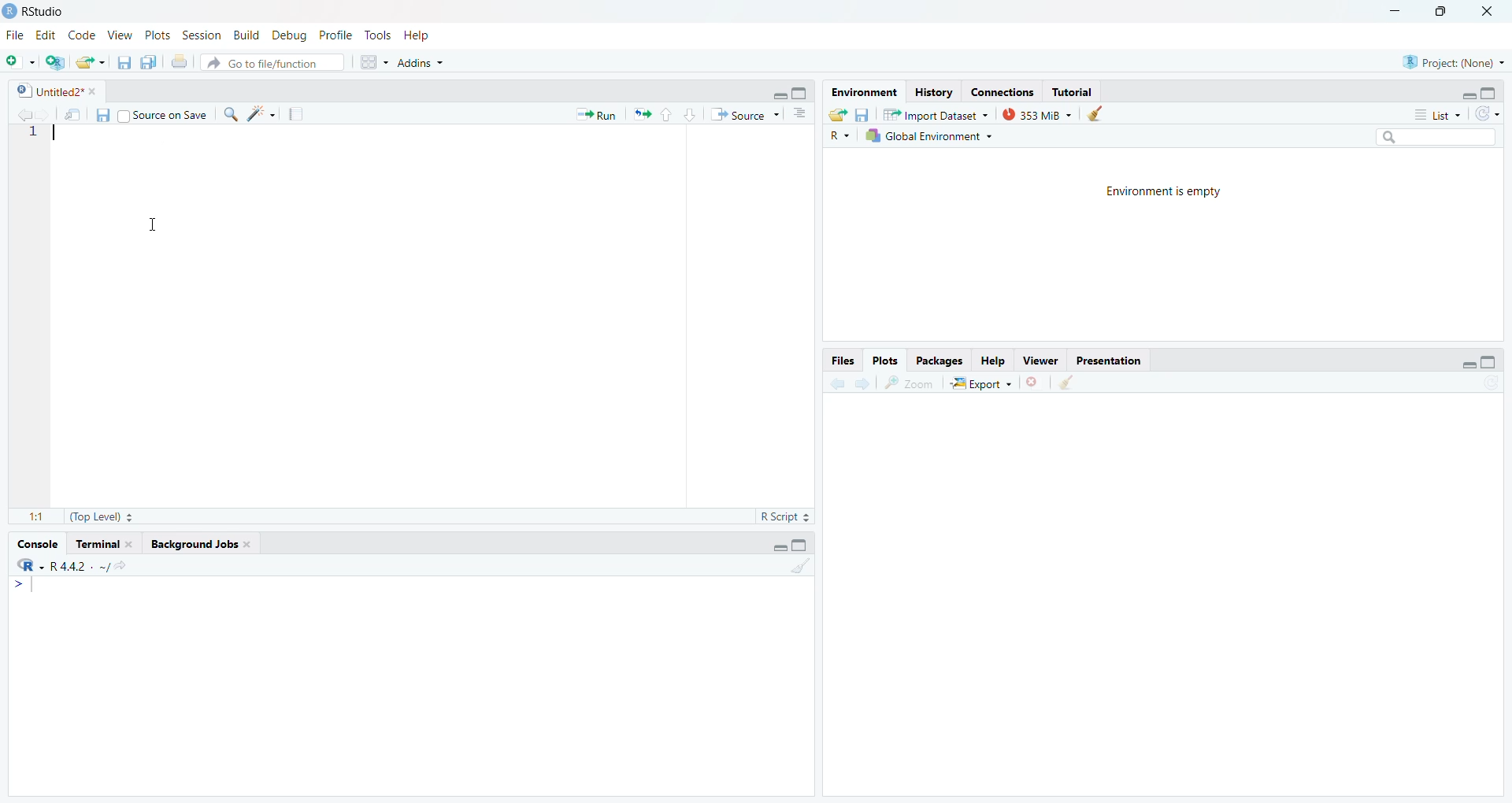 Image resolution: width=1512 pixels, height=803 pixels. Describe the element at coordinates (669, 115) in the screenshot. I see `go to previous section/chunk` at that location.